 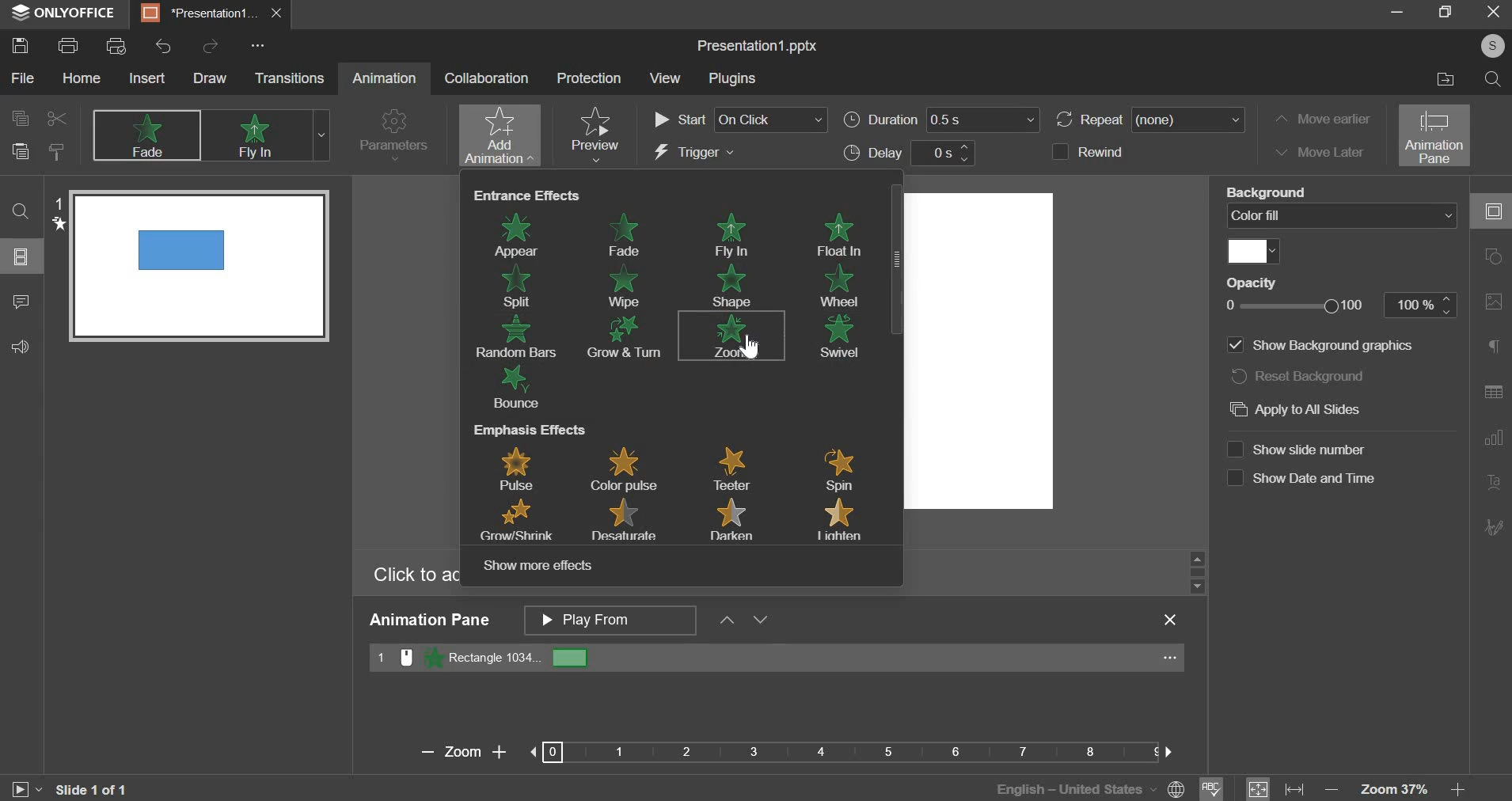 What do you see at coordinates (941, 117) in the screenshot?
I see `duration` at bounding box center [941, 117].